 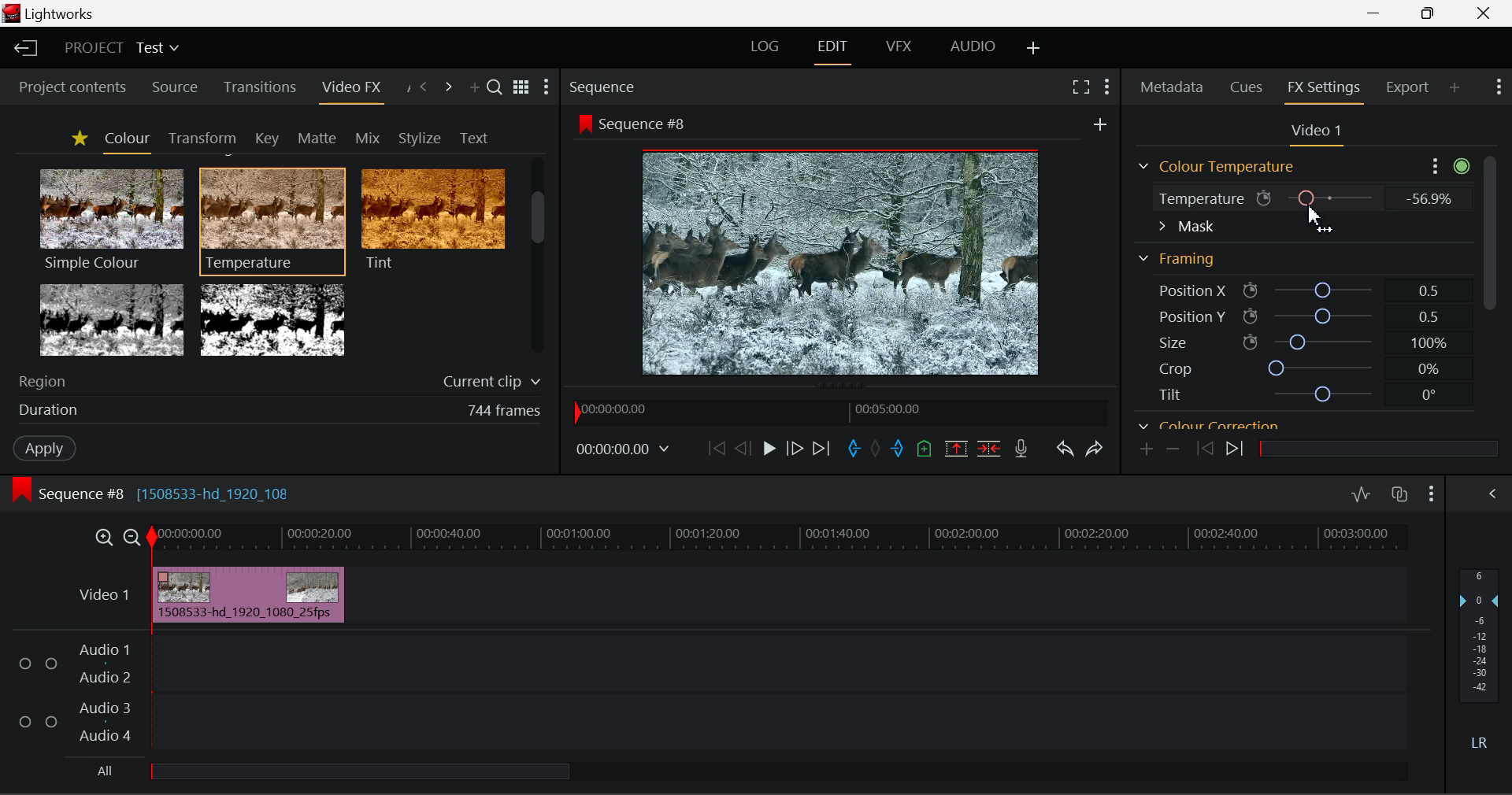 What do you see at coordinates (266, 138) in the screenshot?
I see `Key` at bounding box center [266, 138].